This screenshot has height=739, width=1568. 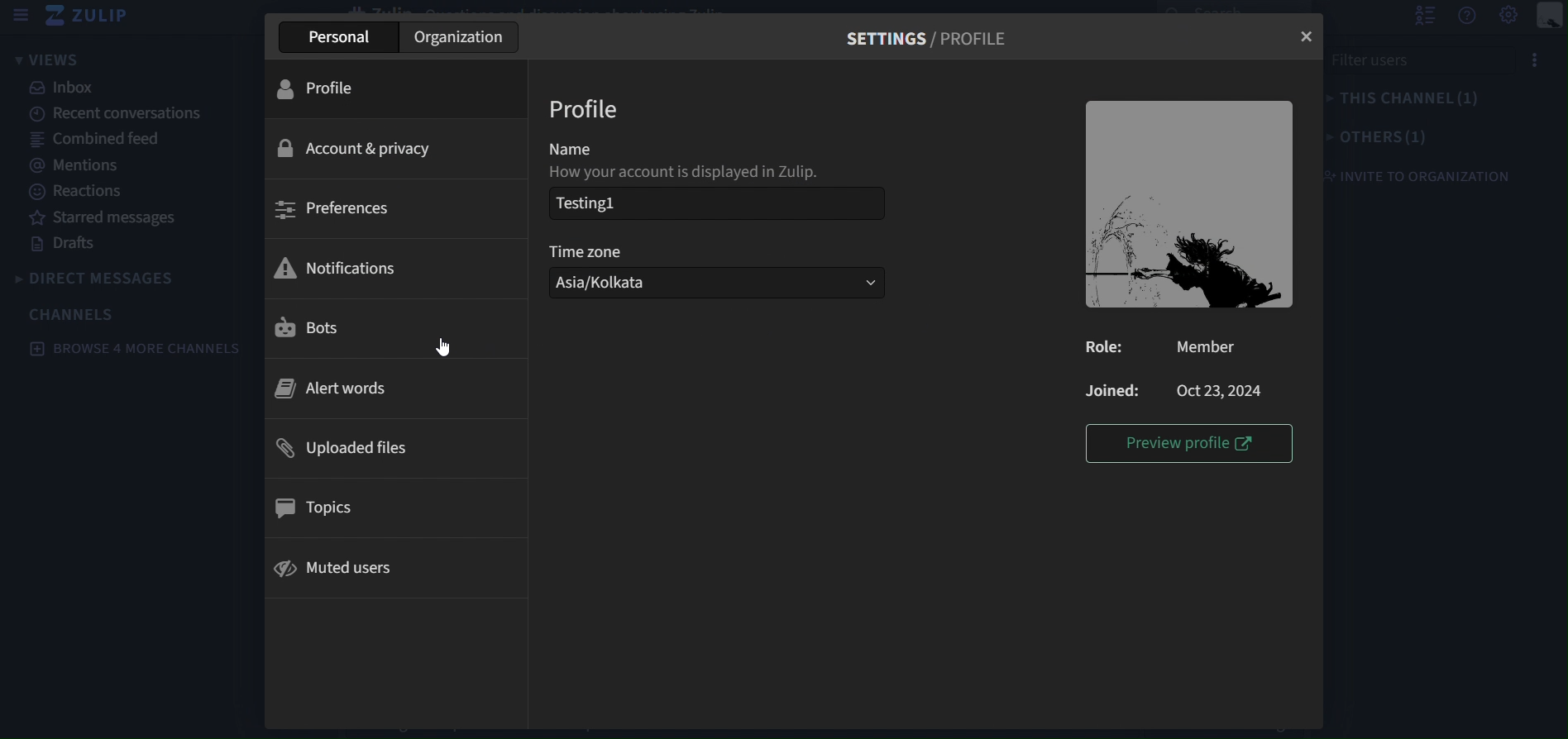 What do you see at coordinates (715, 284) in the screenshot?
I see `Asia/Kolkata` at bounding box center [715, 284].